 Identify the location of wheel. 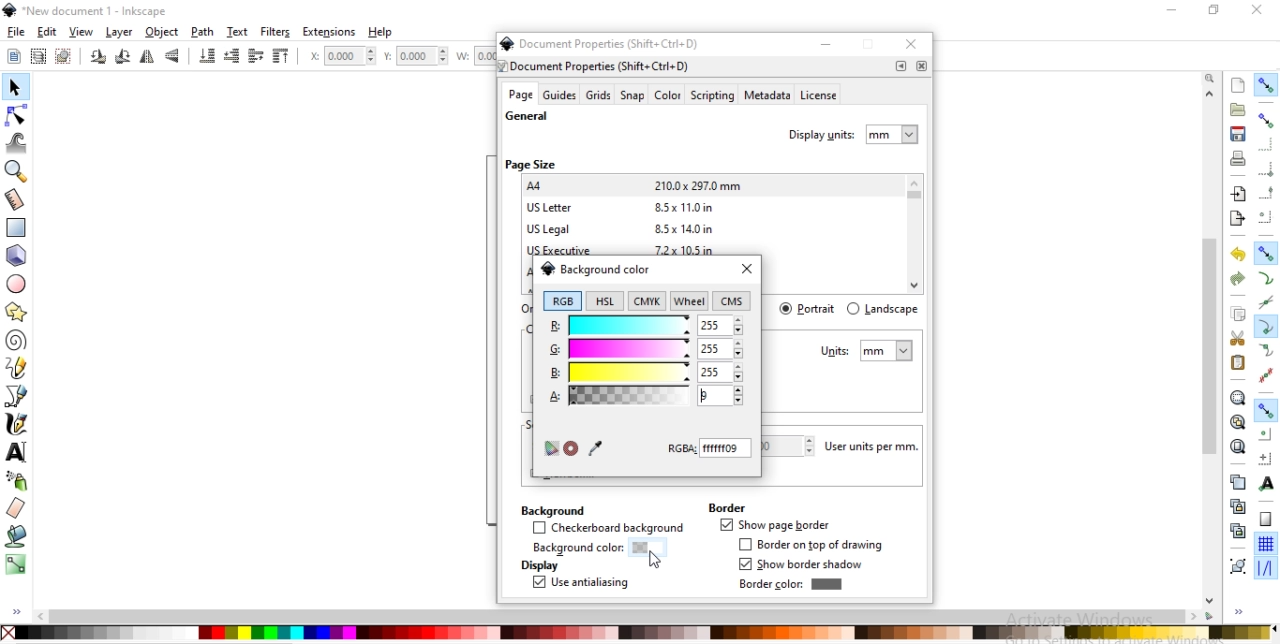
(689, 301).